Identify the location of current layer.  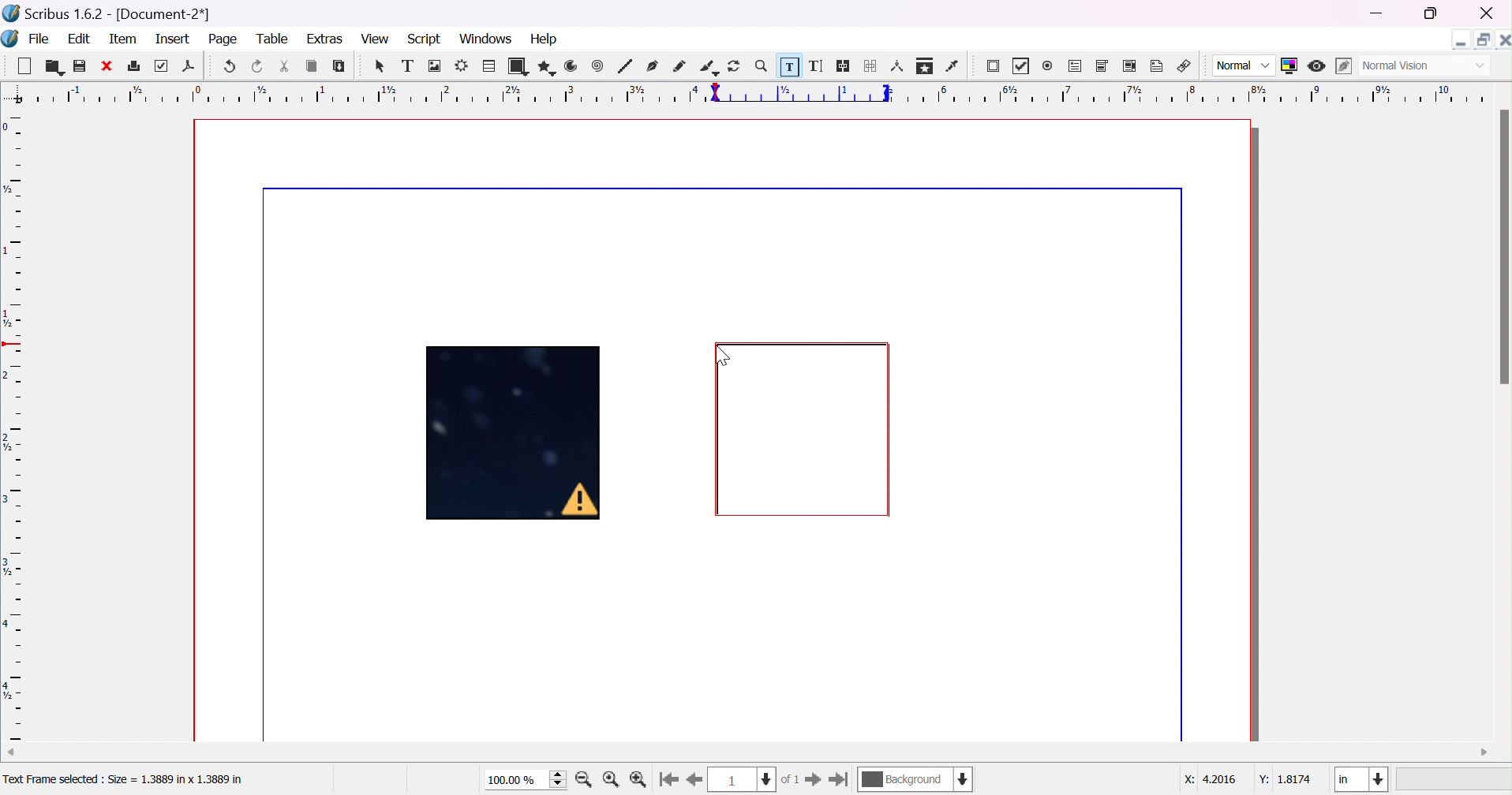
(916, 778).